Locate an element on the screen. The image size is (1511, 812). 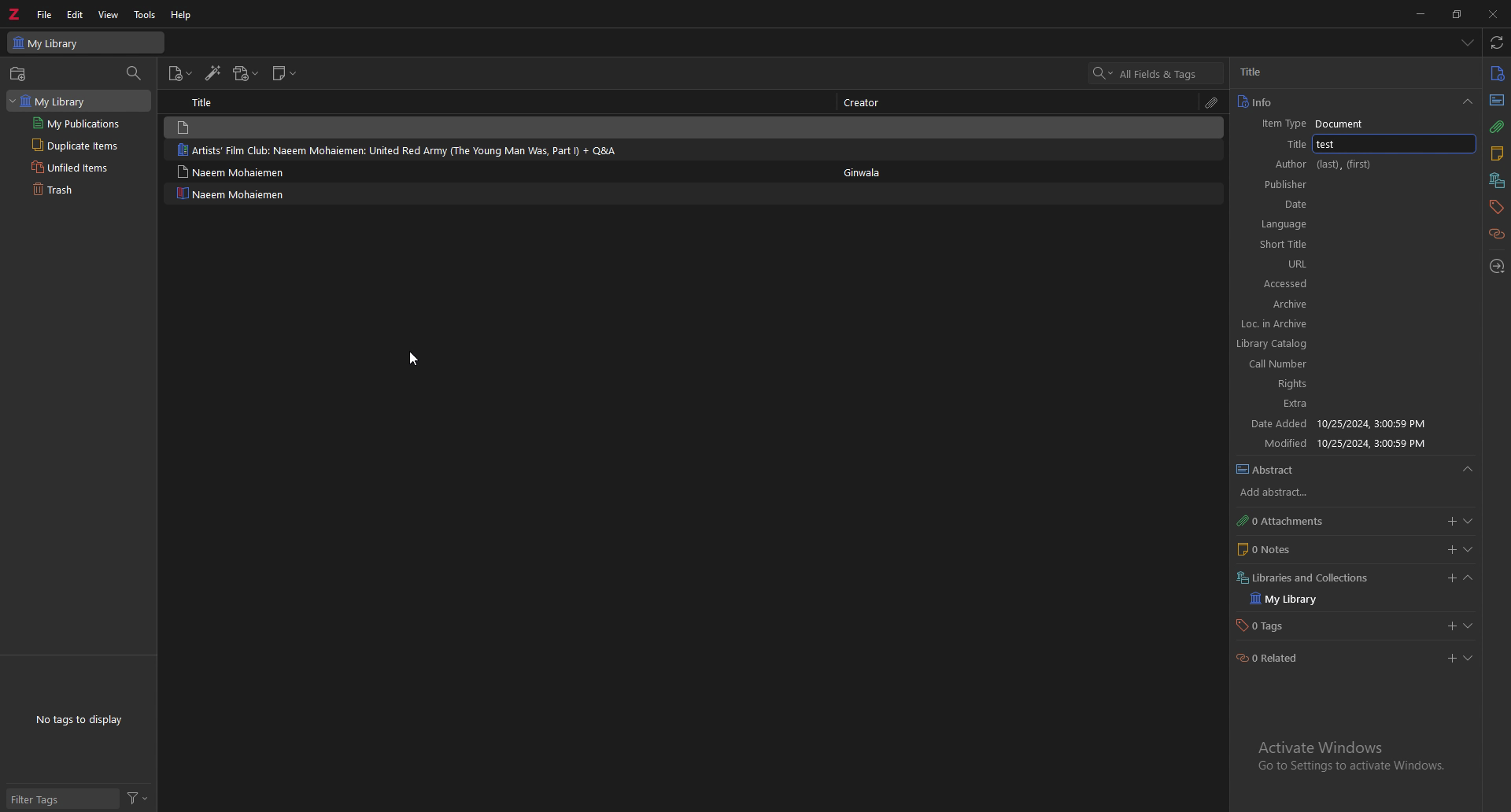
item is located at coordinates (500, 127).